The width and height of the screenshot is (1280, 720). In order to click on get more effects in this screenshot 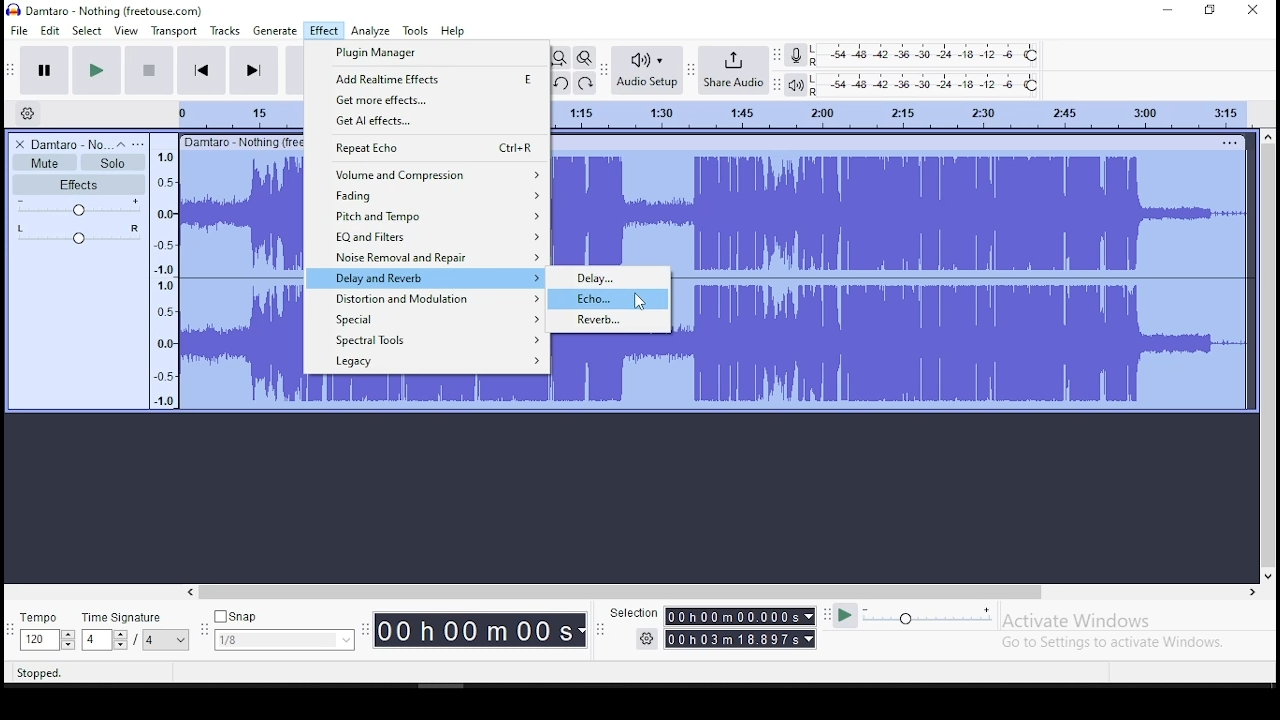, I will do `click(425, 100)`.